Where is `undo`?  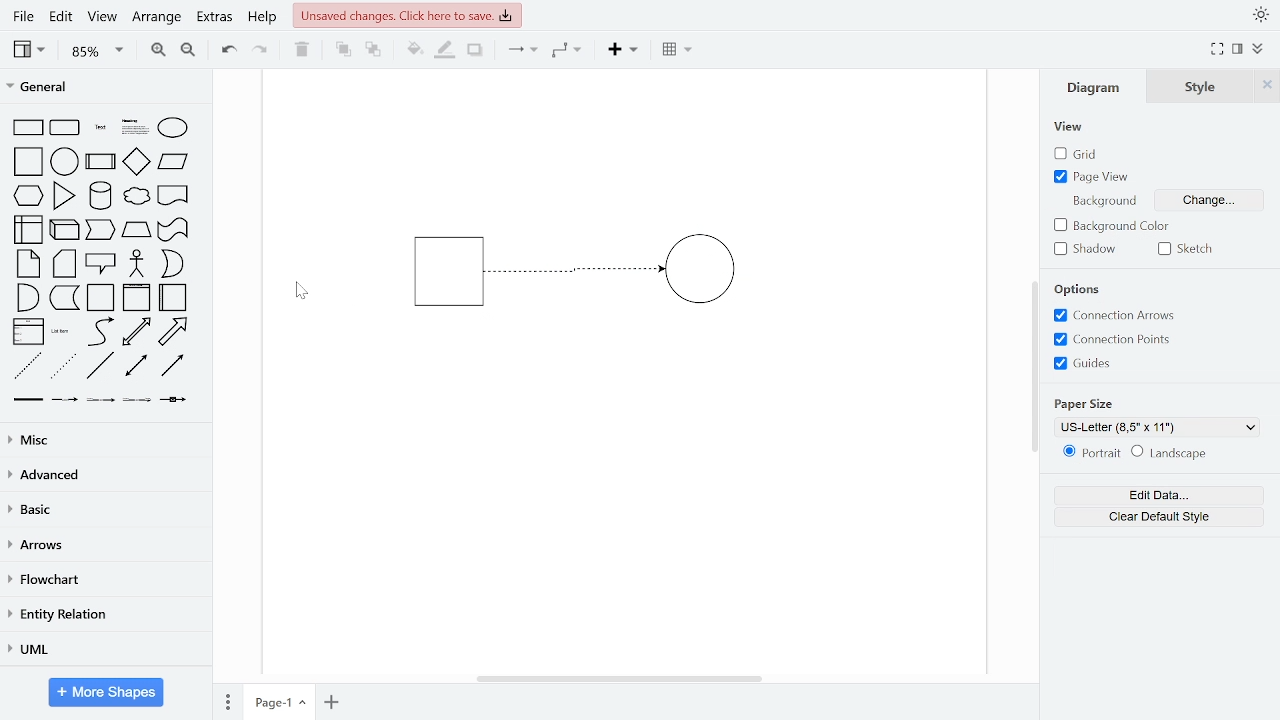 undo is located at coordinates (224, 48).